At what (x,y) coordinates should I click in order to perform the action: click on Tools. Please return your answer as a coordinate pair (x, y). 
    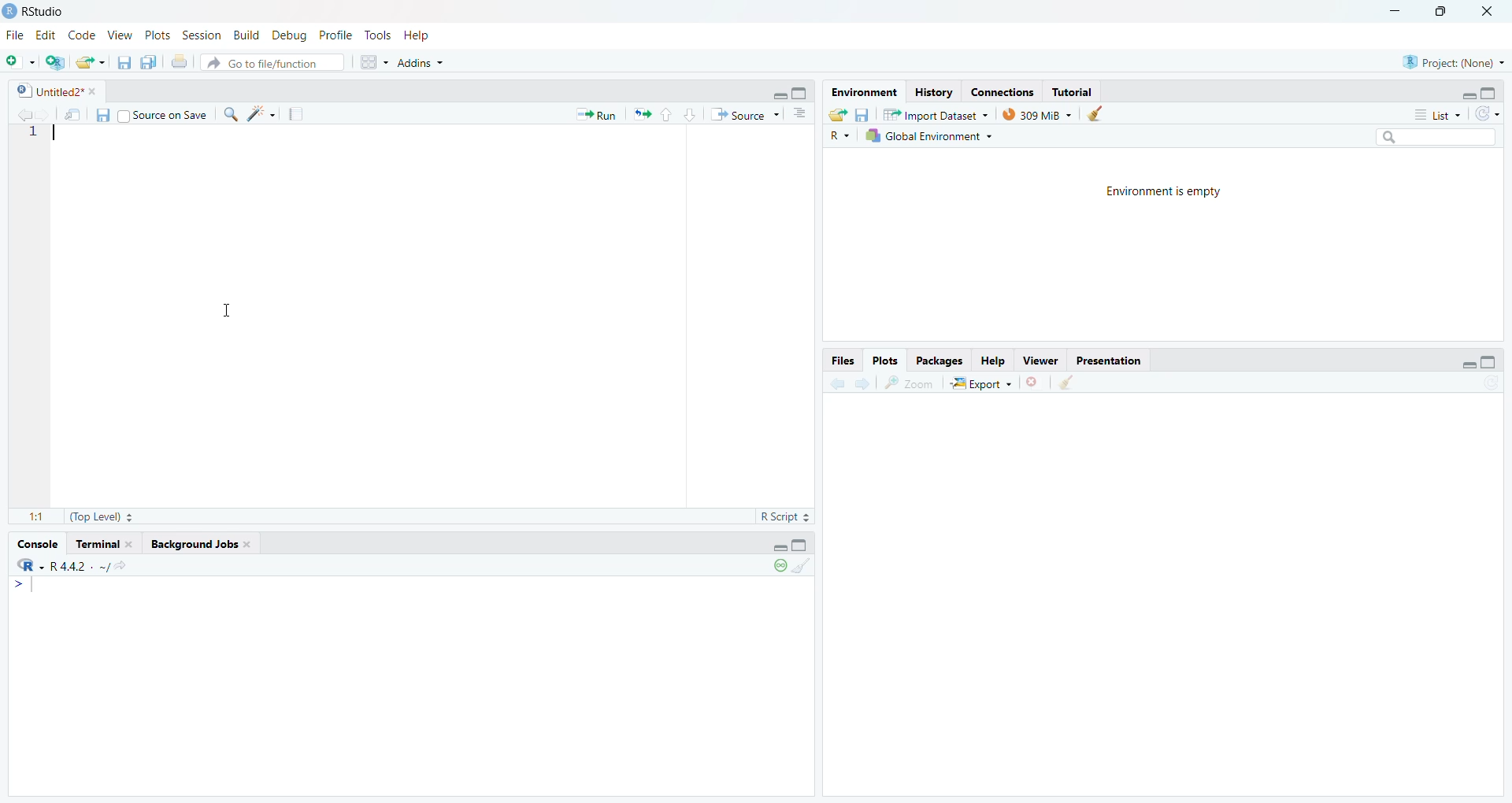
    Looking at the image, I should click on (375, 35).